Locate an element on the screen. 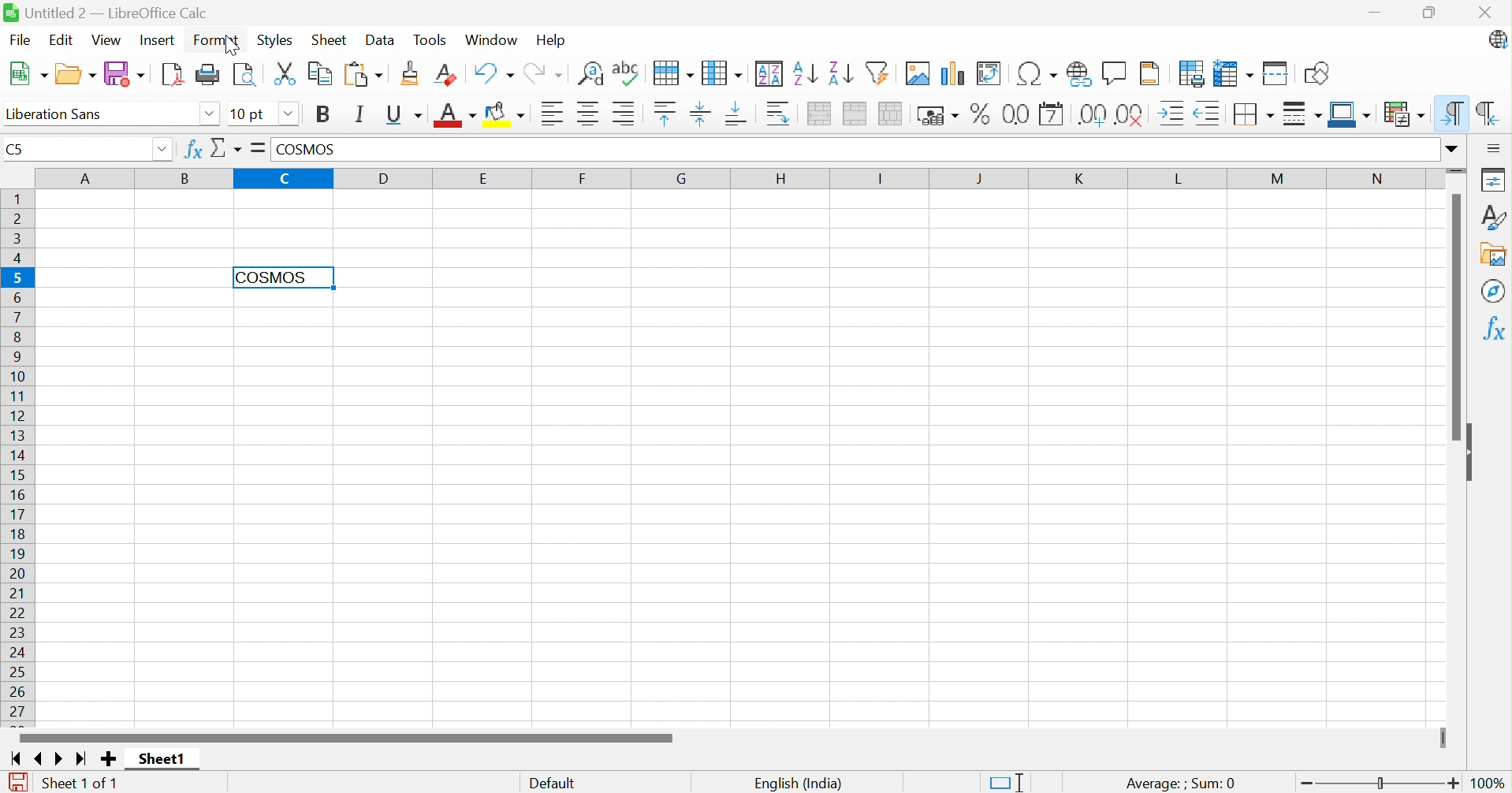 Image resolution: width=1512 pixels, height=793 pixels. New is located at coordinates (27, 74).